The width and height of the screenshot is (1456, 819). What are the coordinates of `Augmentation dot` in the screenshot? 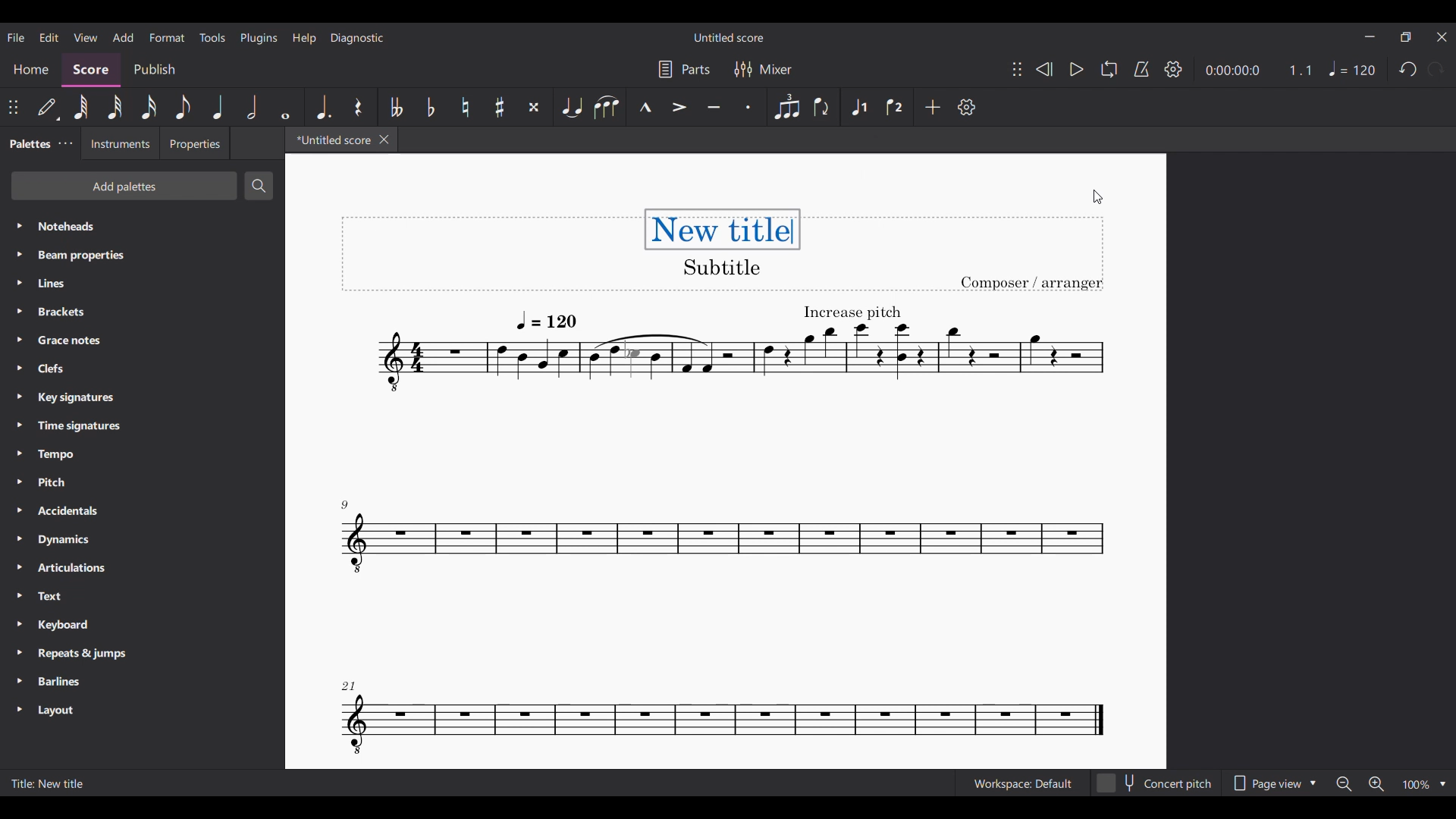 It's located at (322, 107).